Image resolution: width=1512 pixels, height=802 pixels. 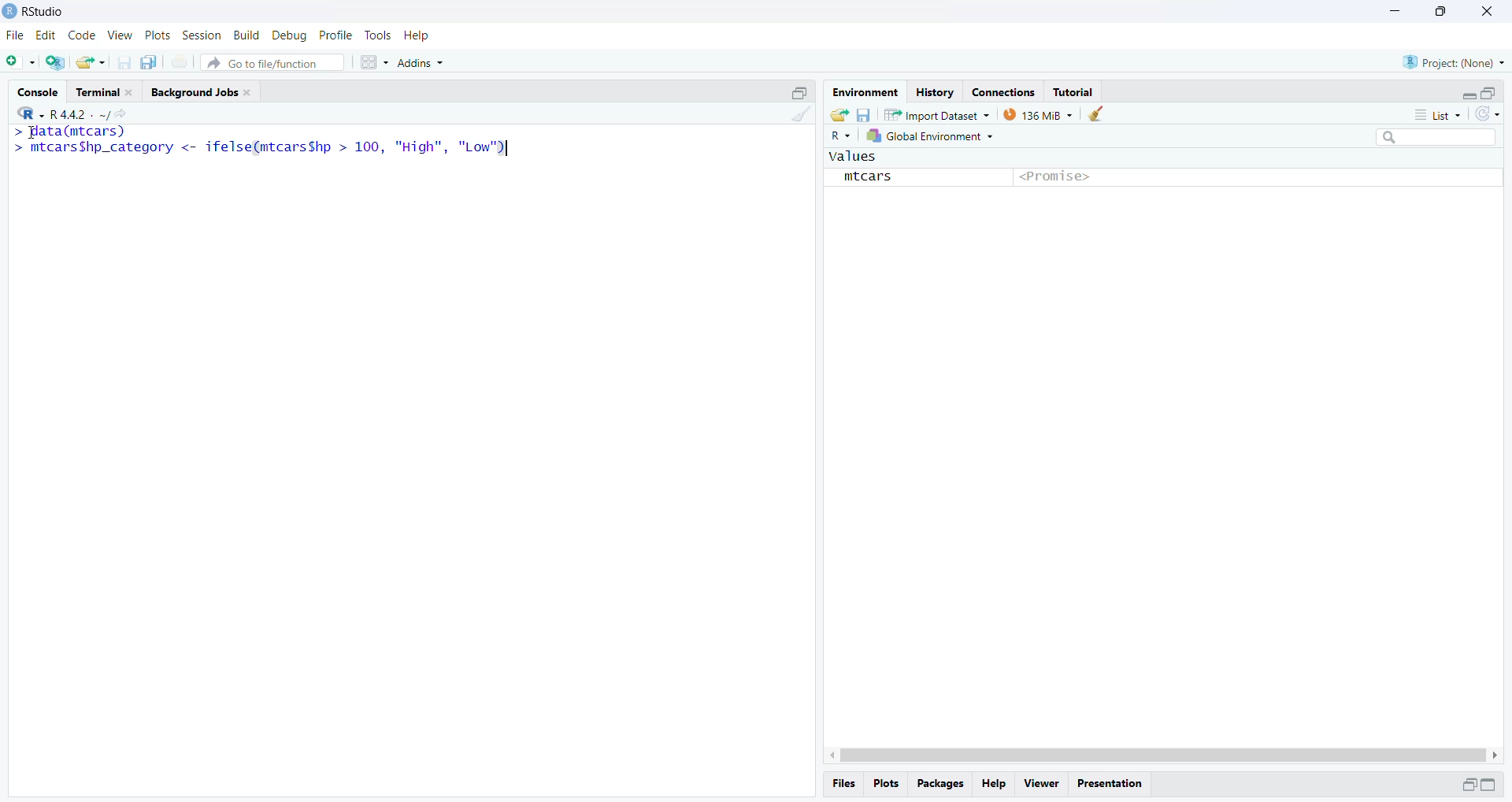 What do you see at coordinates (180, 65) in the screenshot?
I see `Print the current file` at bounding box center [180, 65].